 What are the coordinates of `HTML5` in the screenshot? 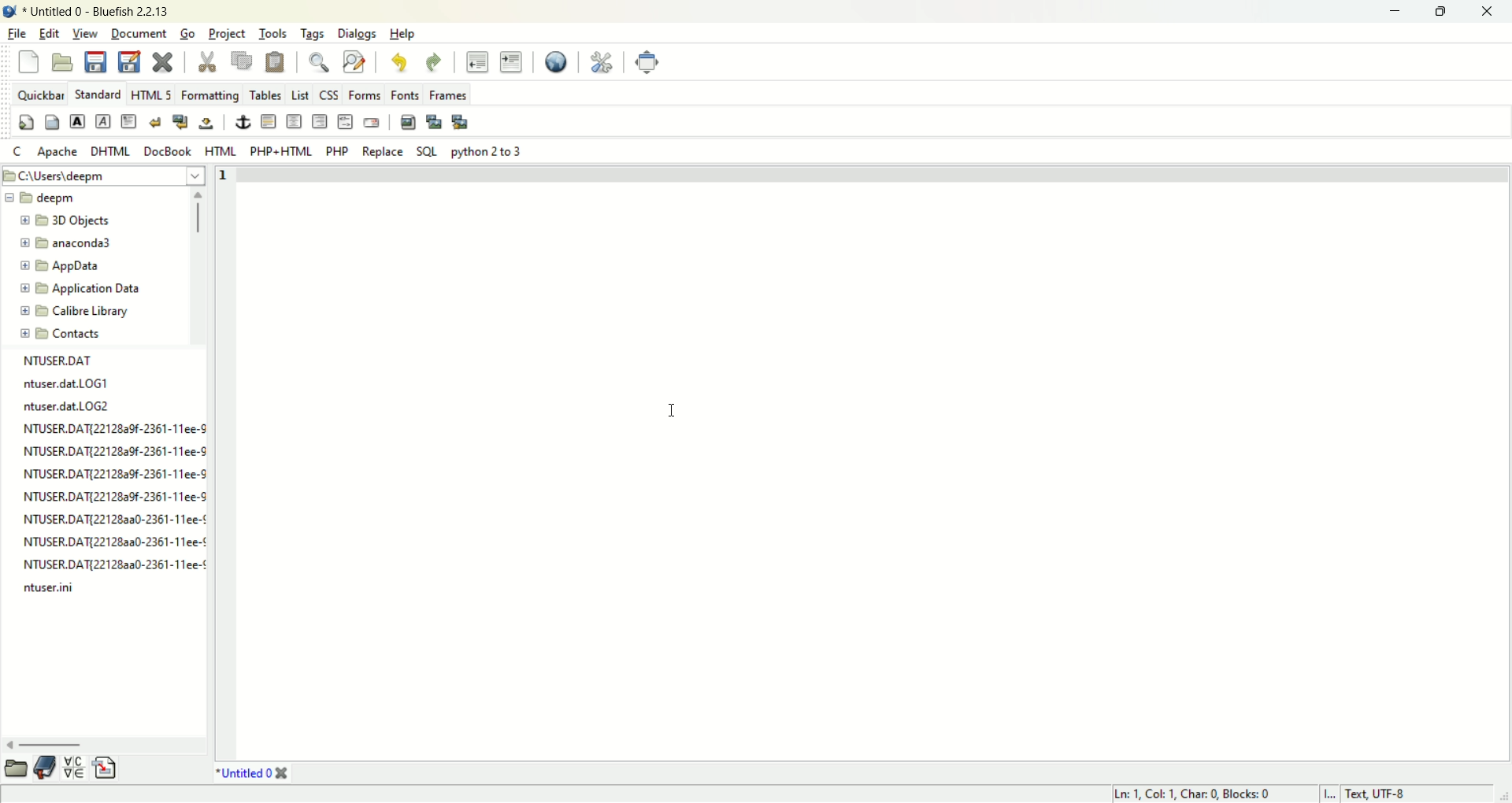 It's located at (150, 94).